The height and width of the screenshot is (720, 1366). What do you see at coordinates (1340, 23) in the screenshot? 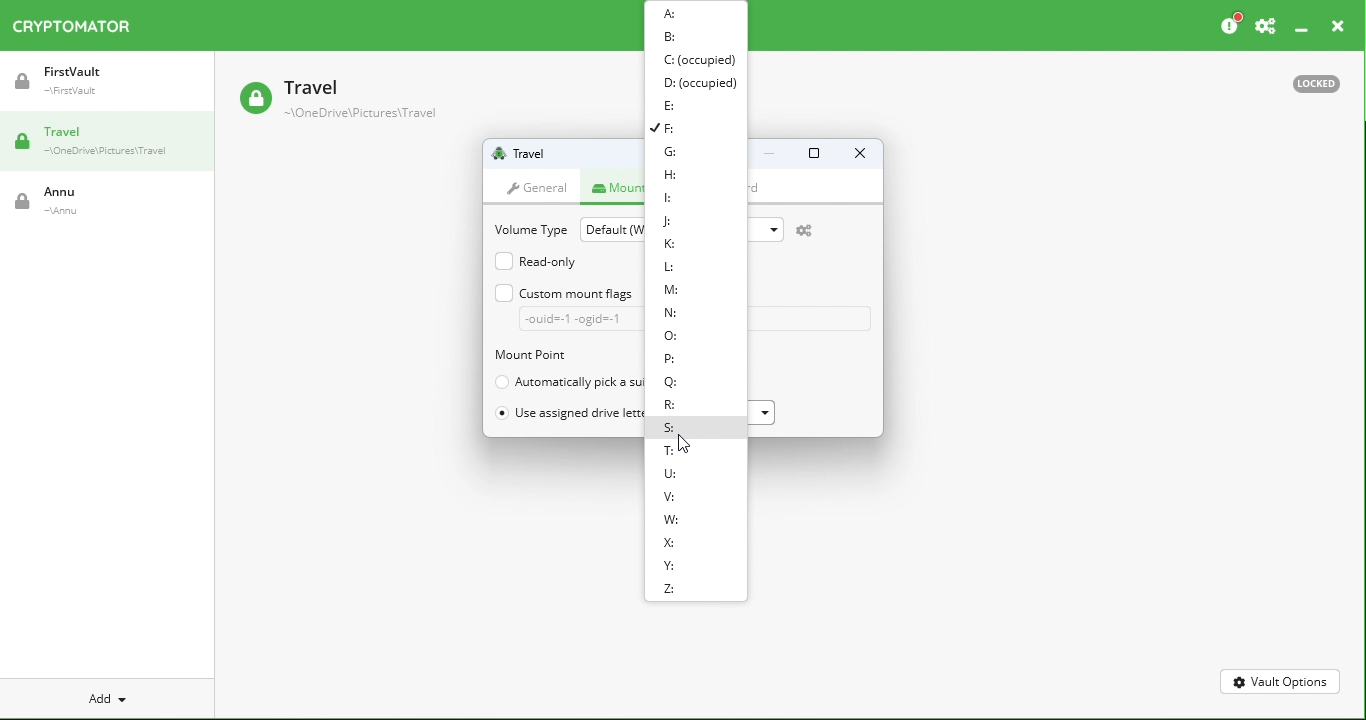
I see `close` at bounding box center [1340, 23].